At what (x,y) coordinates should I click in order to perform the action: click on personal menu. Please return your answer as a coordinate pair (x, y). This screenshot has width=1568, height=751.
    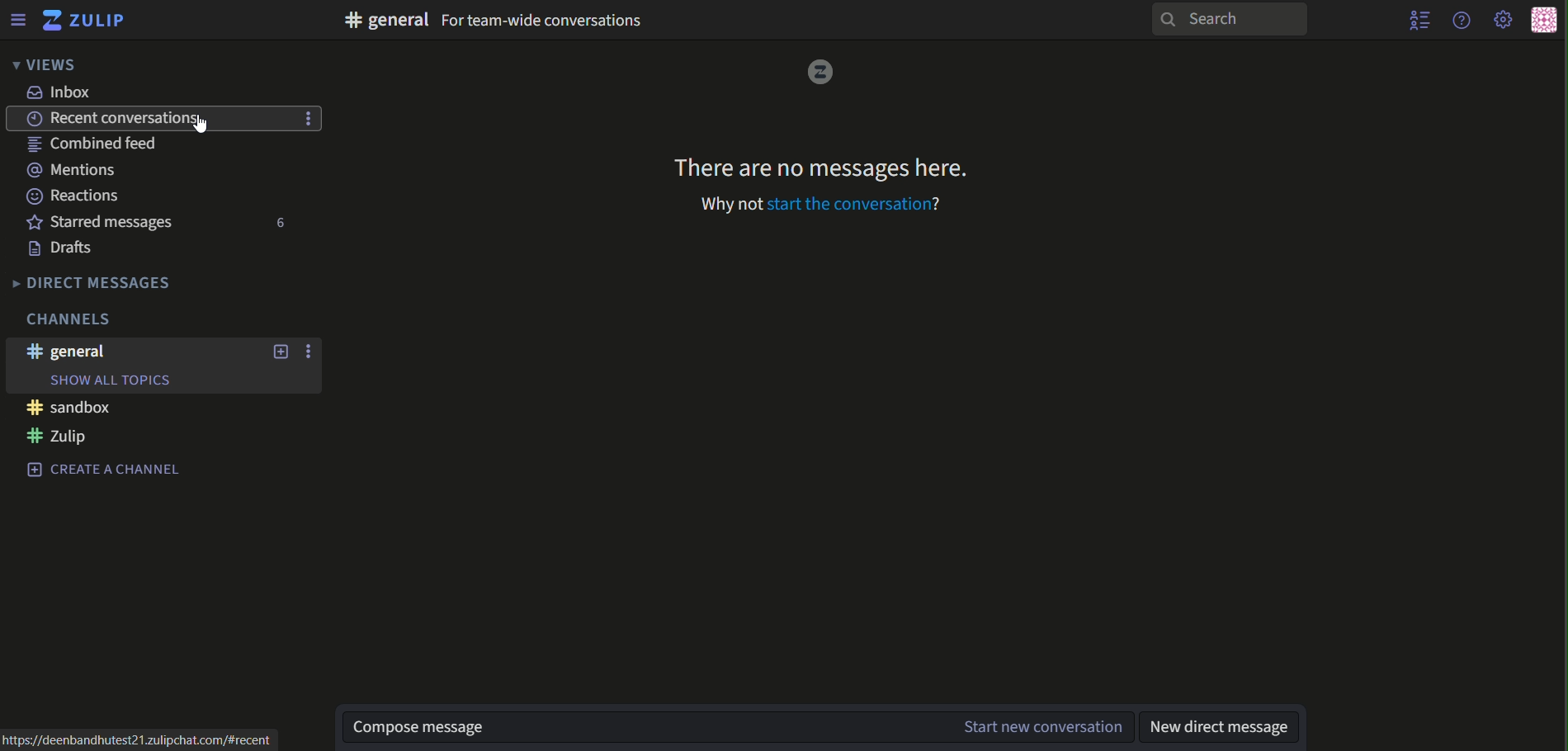
    Looking at the image, I should click on (1543, 21).